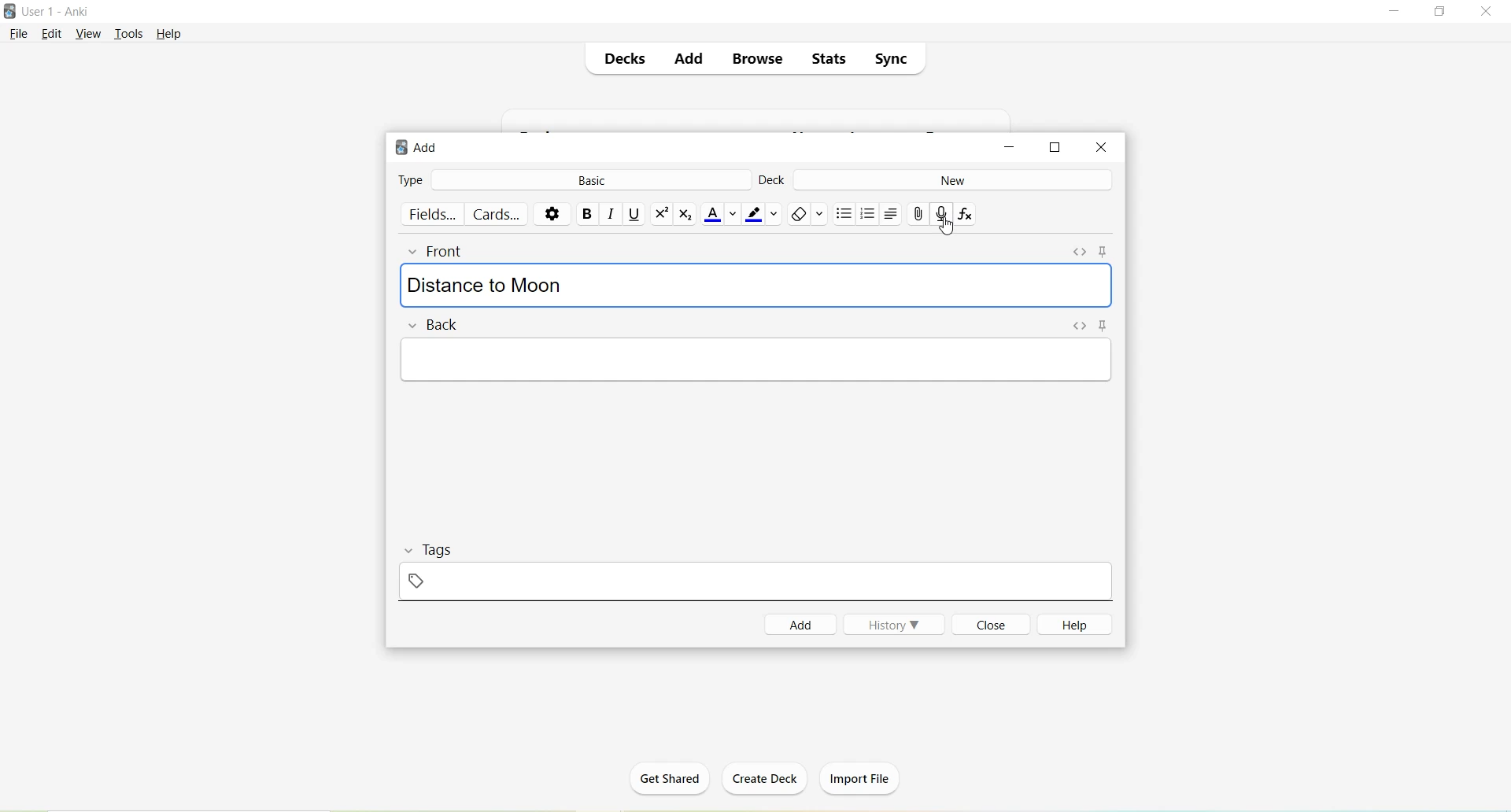 The image size is (1511, 812). Describe the element at coordinates (826, 59) in the screenshot. I see `Stats` at that location.